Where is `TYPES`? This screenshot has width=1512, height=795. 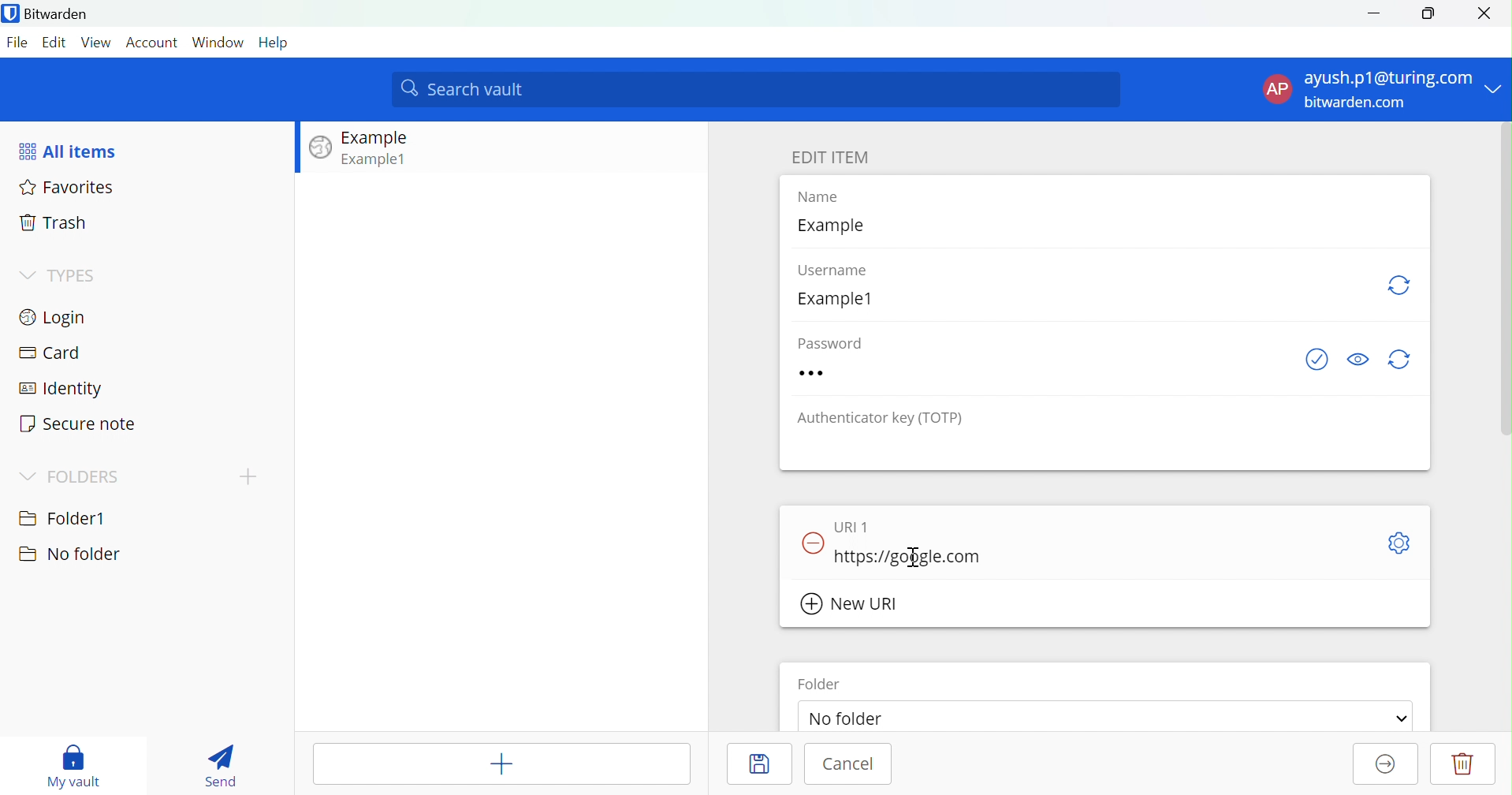 TYPES is located at coordinates (74, 277).